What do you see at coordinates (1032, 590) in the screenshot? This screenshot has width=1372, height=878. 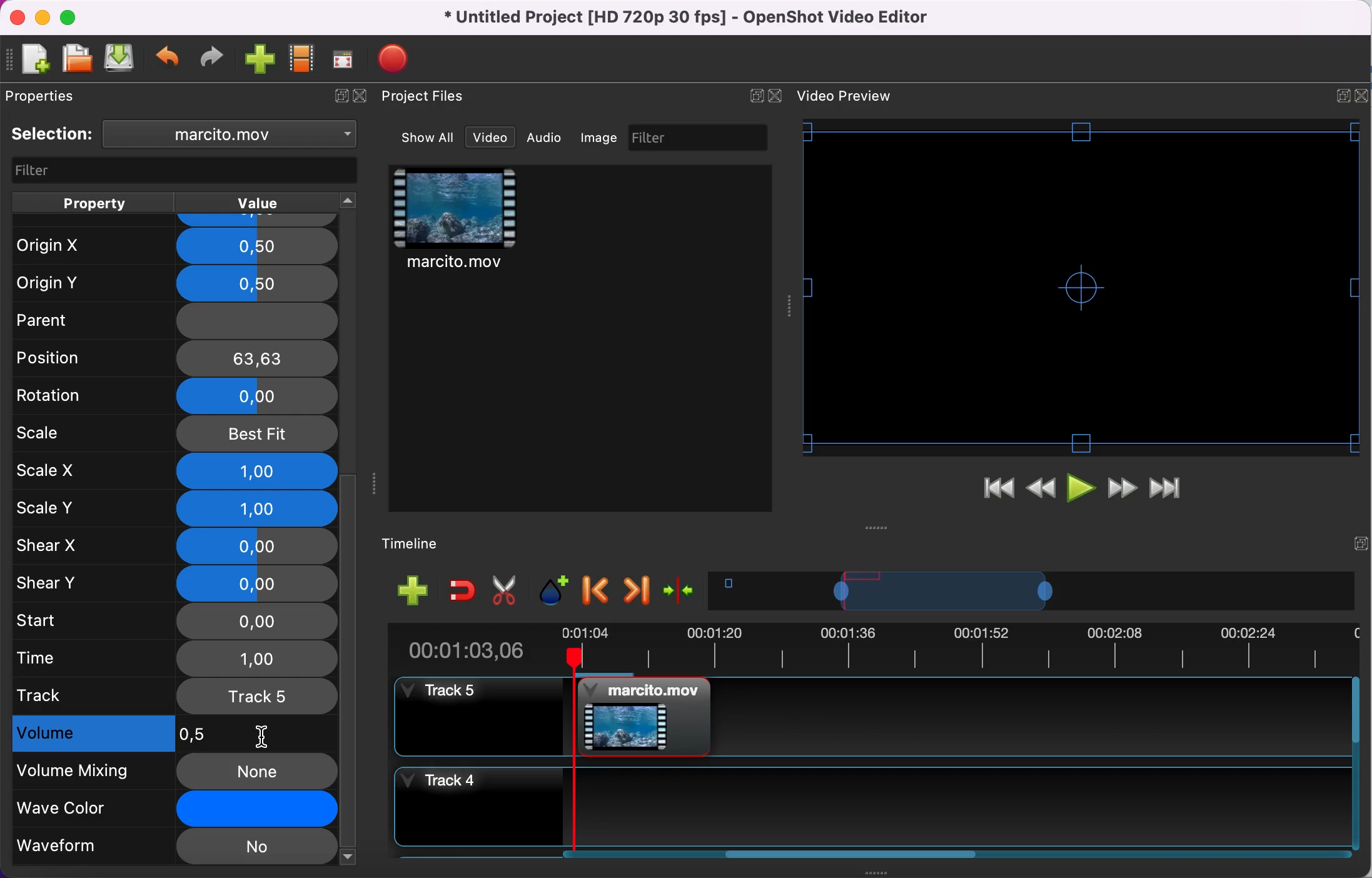 I see `timeline` at bounding box center [1032, 590].